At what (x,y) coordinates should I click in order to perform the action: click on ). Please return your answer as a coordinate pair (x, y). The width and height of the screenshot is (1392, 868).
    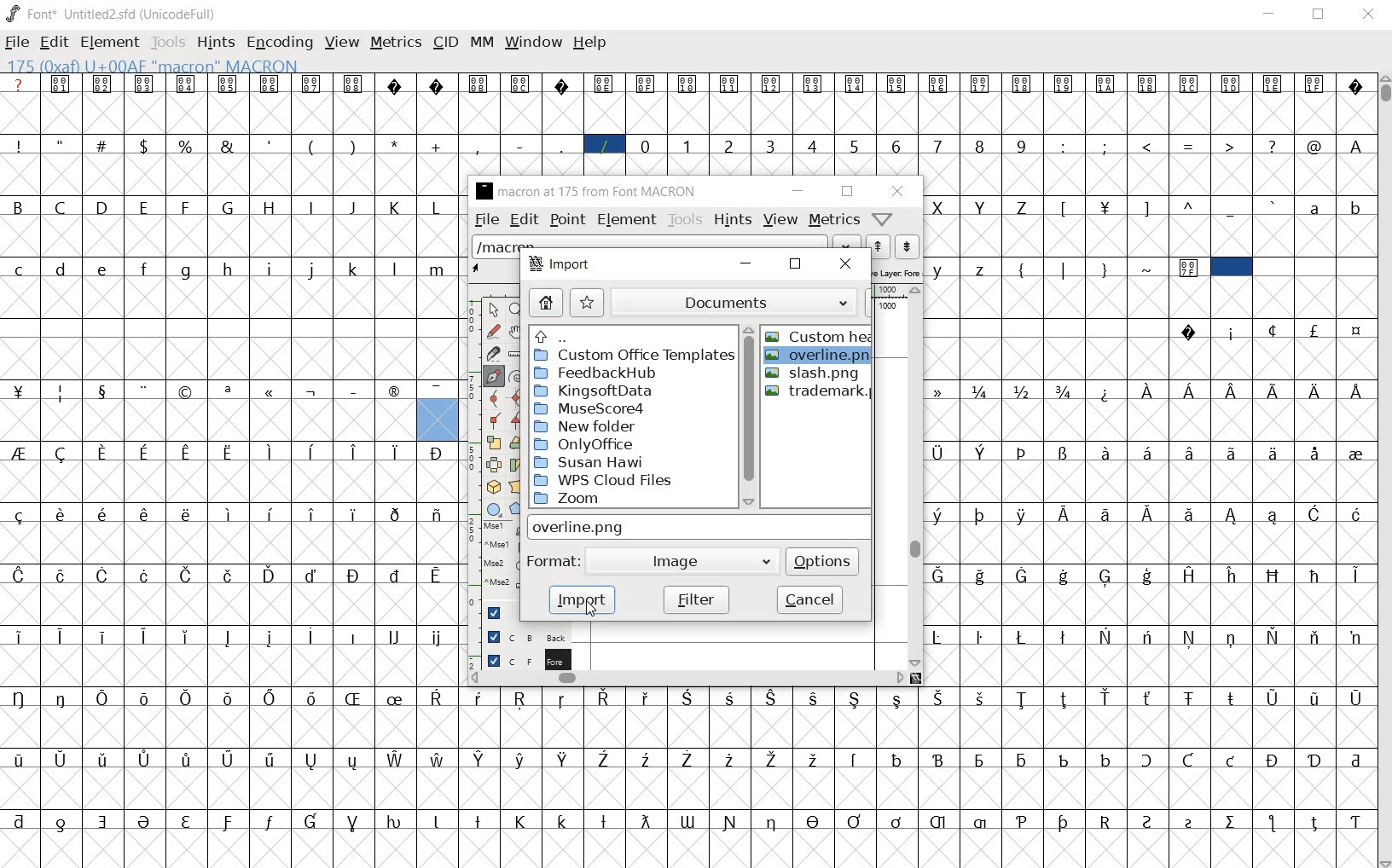
    Looking at the image, I should click on (356, 146).